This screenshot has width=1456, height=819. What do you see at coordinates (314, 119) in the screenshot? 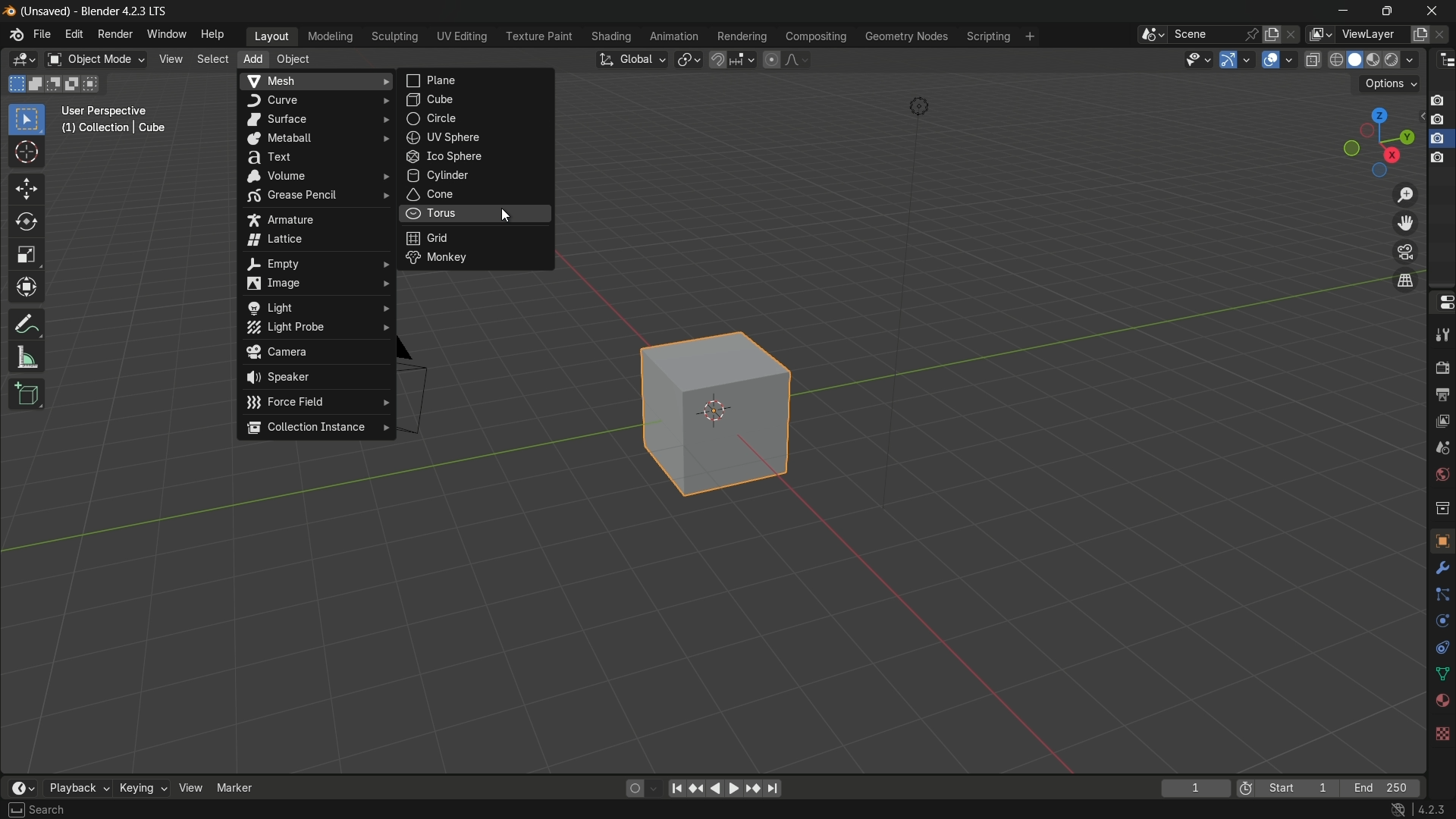
I see `surface` at bounding box center [314, 119].